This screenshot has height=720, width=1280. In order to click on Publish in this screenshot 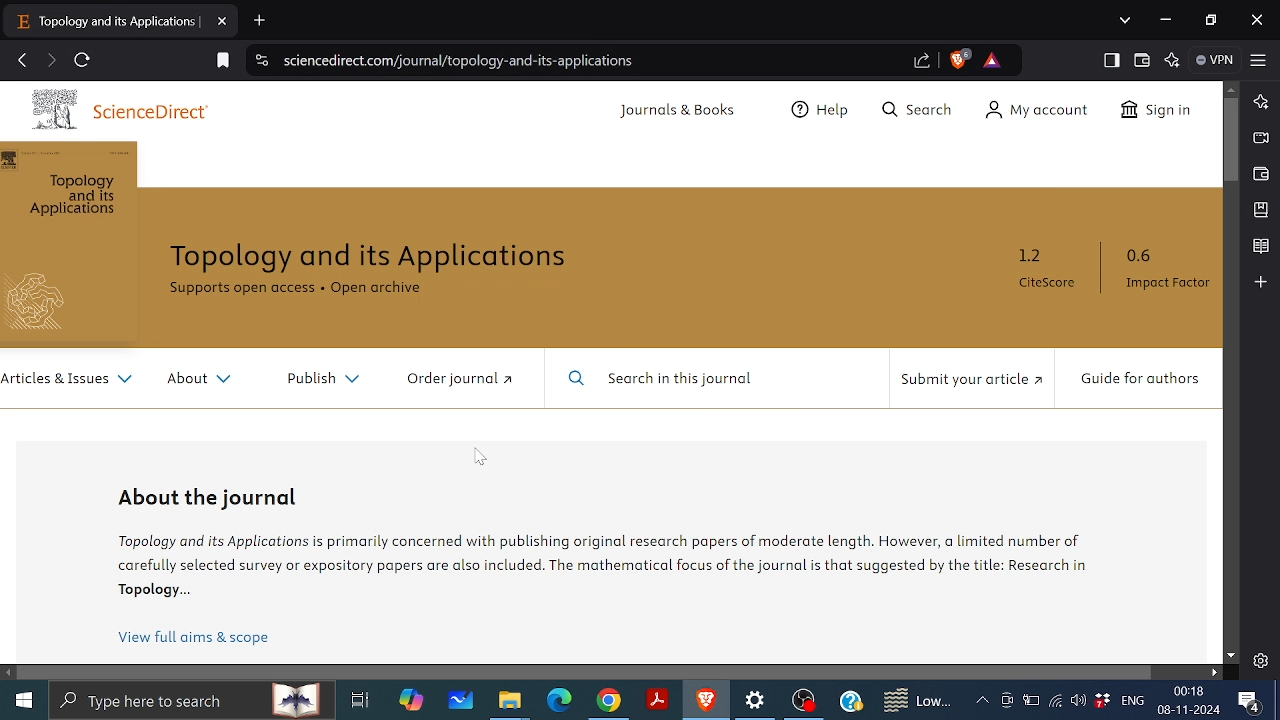, I will do `click(322, 382)`.